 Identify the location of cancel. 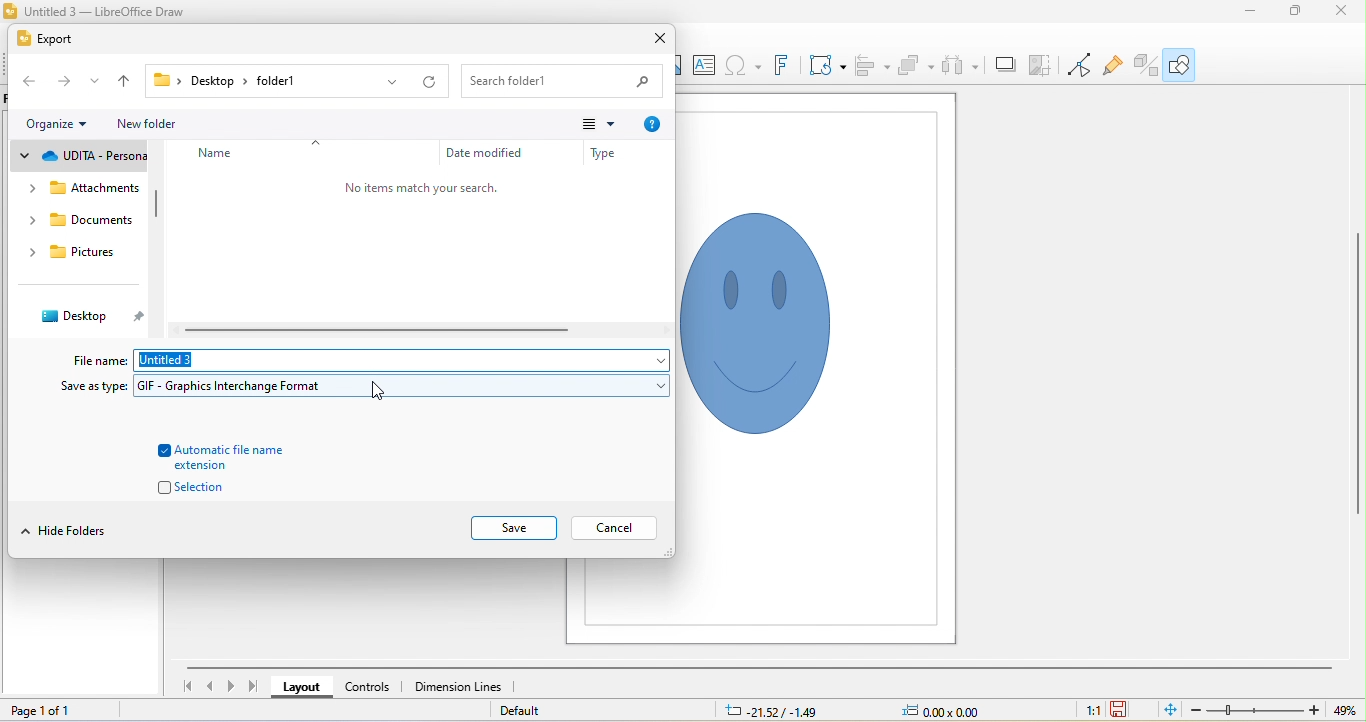
(615, 528).